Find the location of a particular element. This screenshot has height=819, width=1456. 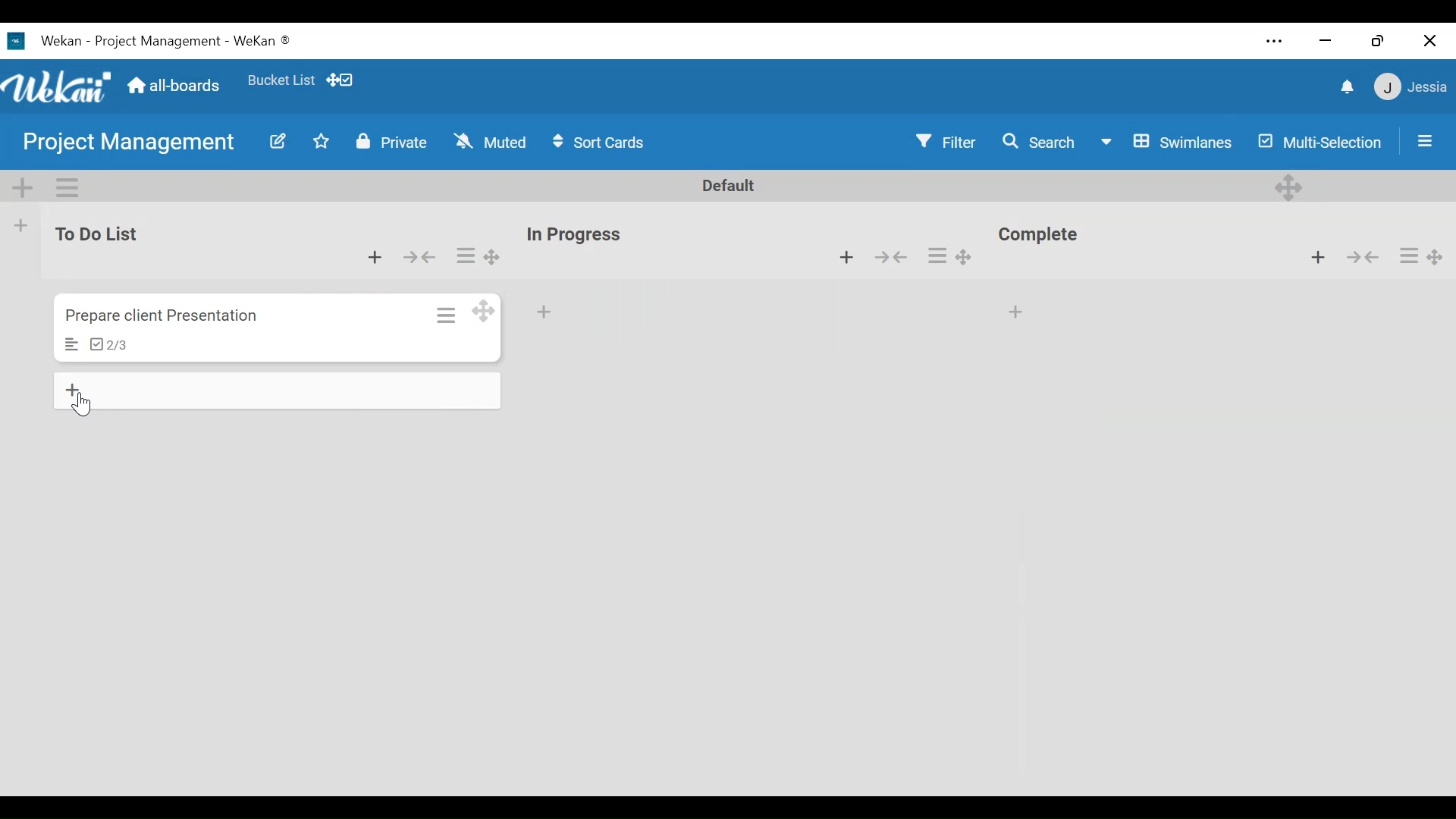

Collapse is located at coordinates (896, 259).